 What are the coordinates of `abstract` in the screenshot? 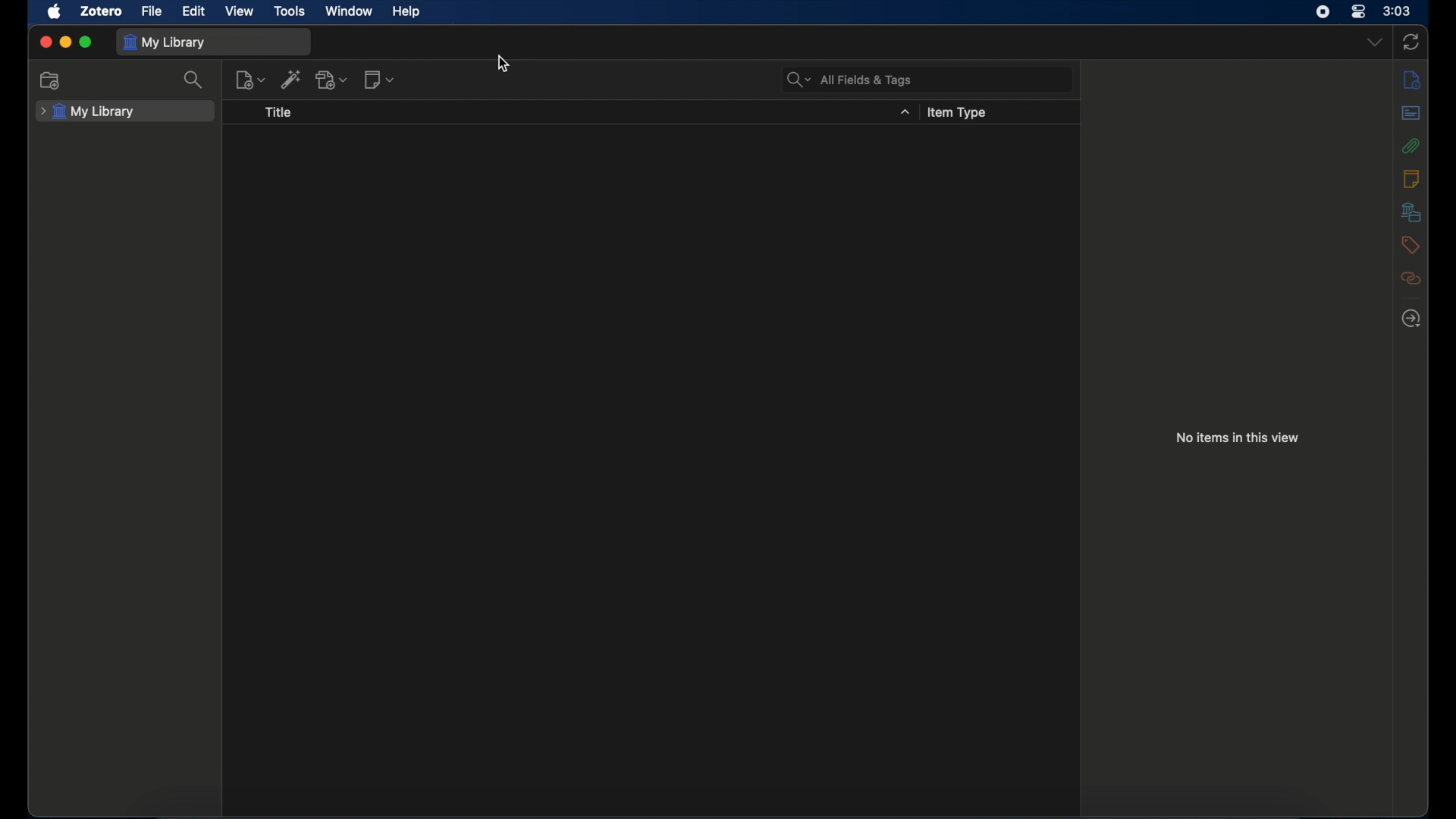 It's located at (1411, 112).